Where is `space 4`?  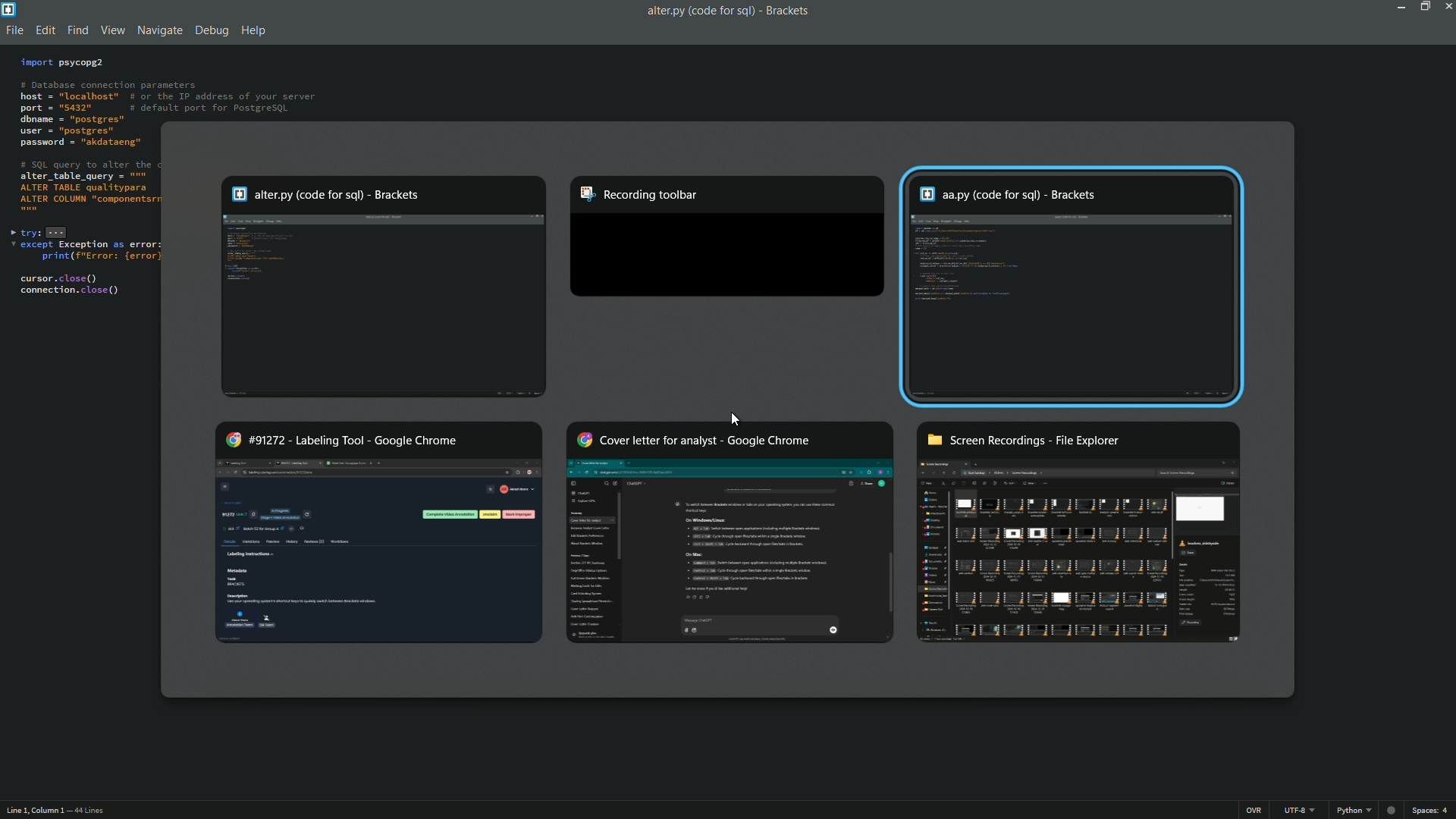 space 4 is located at coordinates (1432, 810).